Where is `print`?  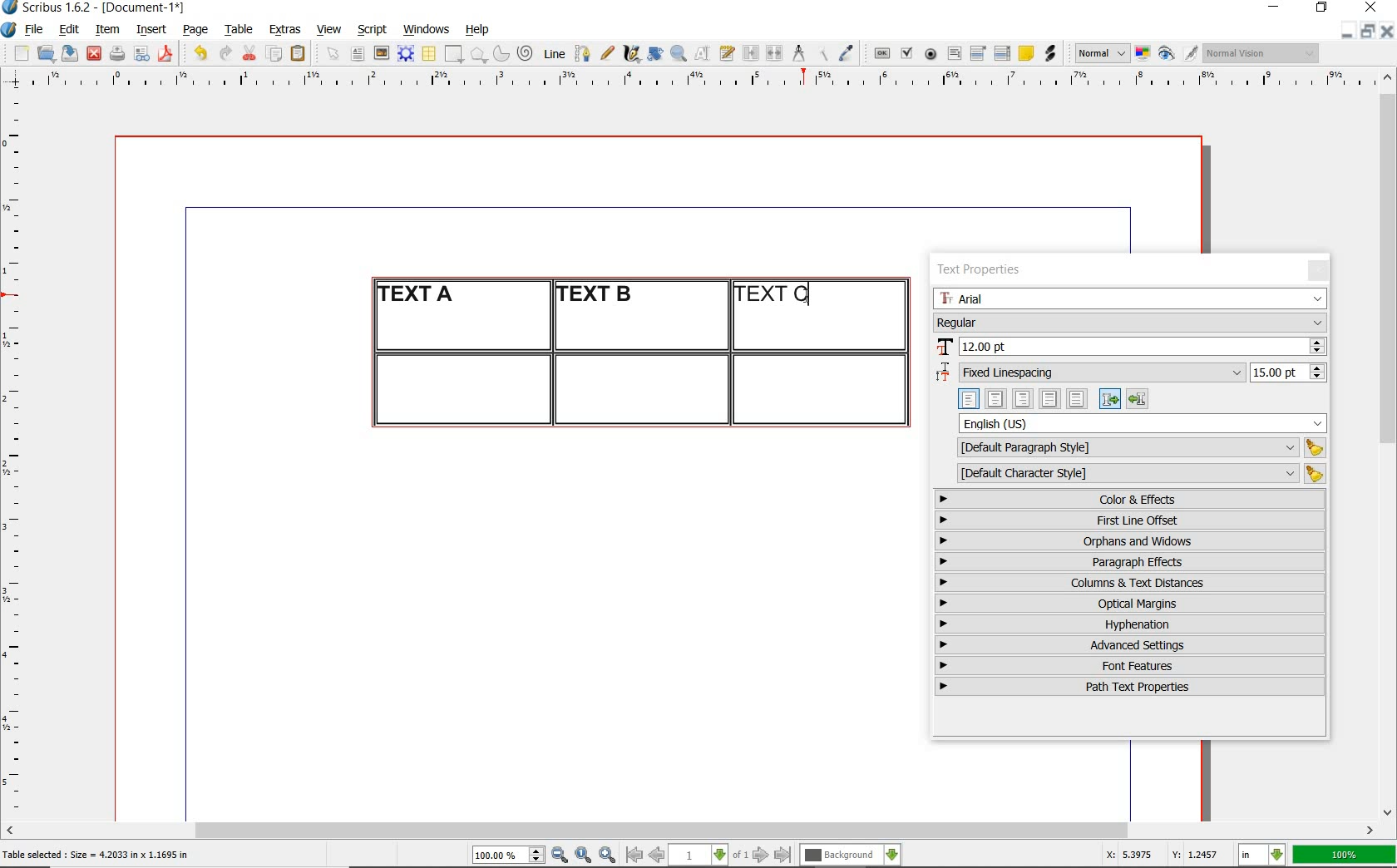 print is located at coordinates (116, 53).